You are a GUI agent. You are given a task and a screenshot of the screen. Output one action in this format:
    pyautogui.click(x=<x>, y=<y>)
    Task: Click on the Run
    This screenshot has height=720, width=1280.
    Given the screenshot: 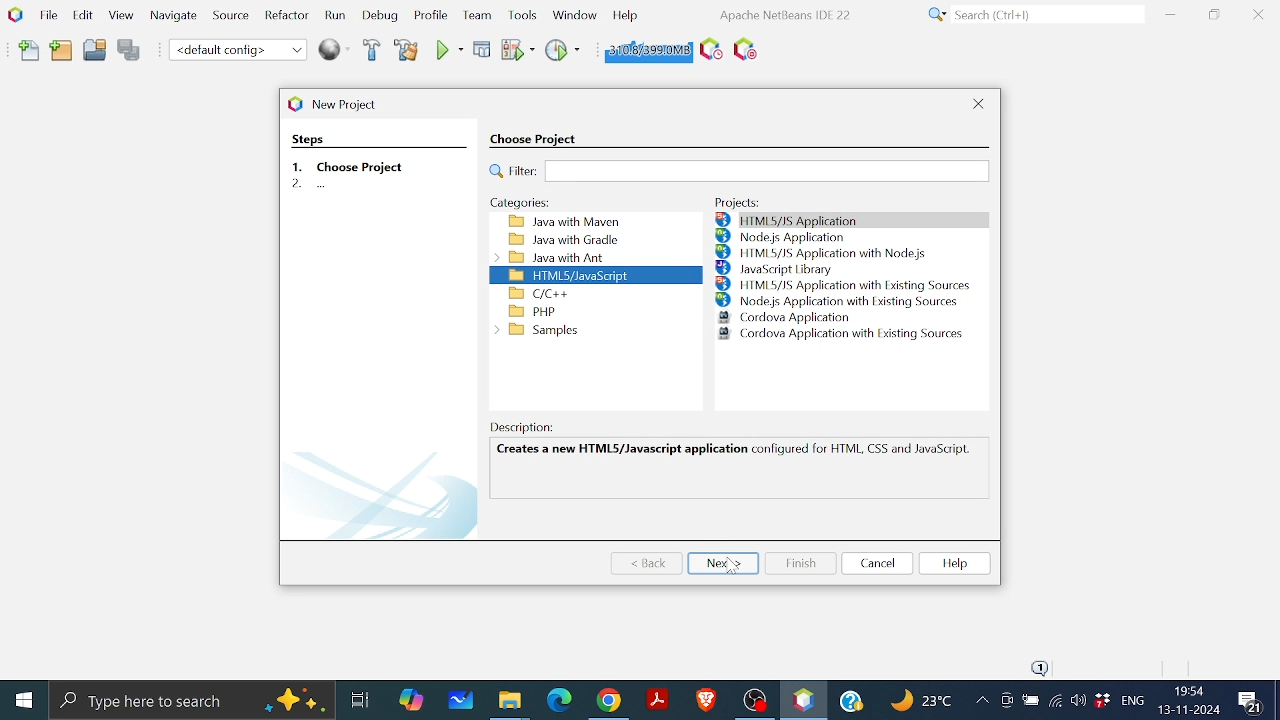 What is the action you would take?
    pyautogui.click(x=334, y=16)
    